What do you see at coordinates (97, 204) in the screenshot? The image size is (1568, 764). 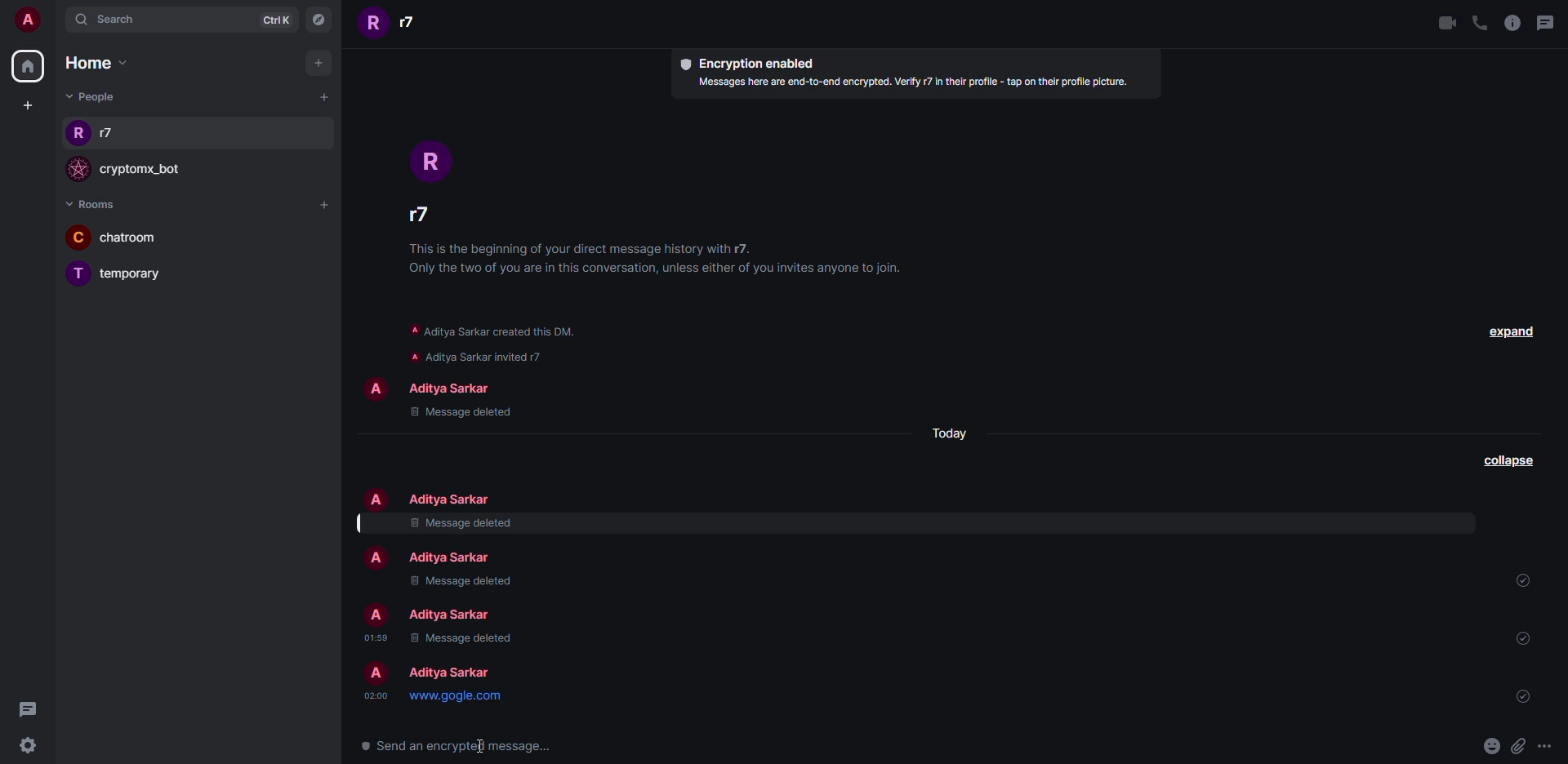 I see `rooms` at bounding box center [97, 204].